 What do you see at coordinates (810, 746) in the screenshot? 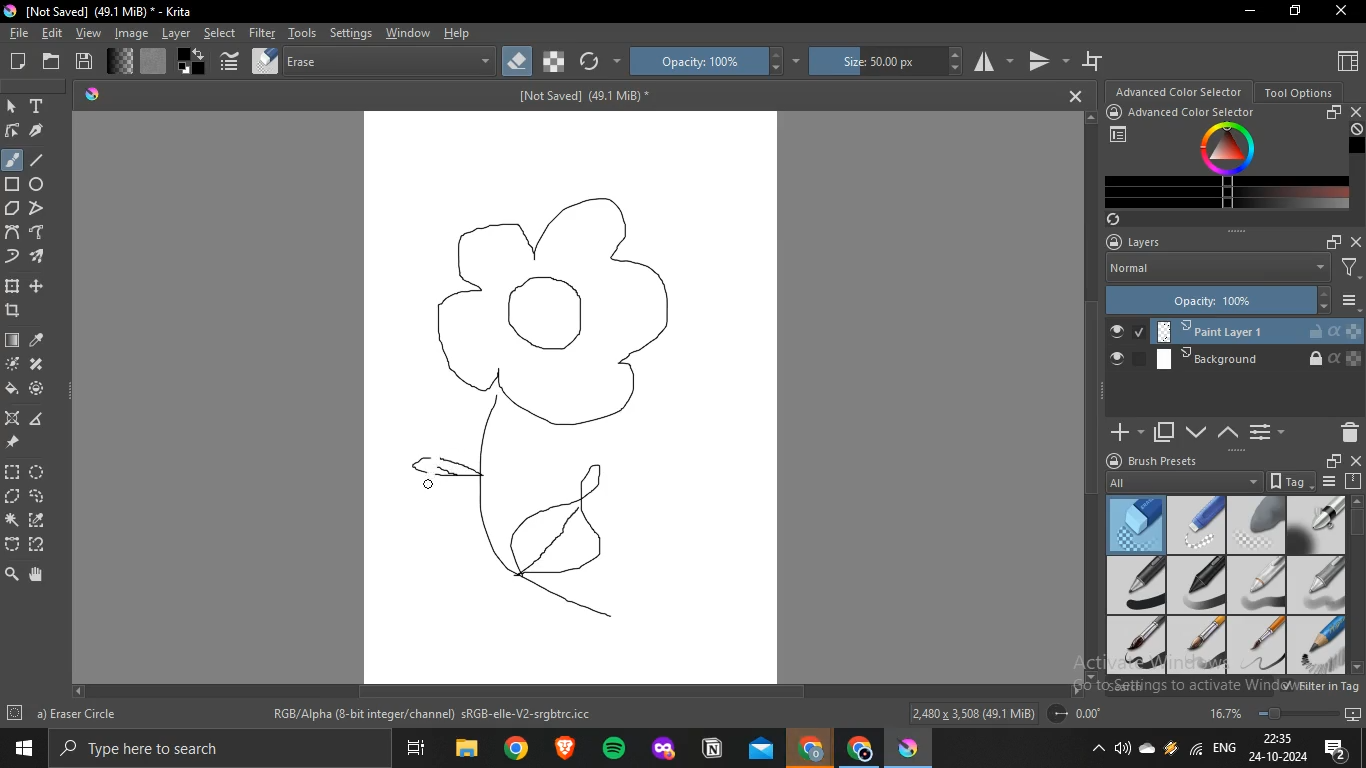
I see `Application` at bounding box center [810, 746].